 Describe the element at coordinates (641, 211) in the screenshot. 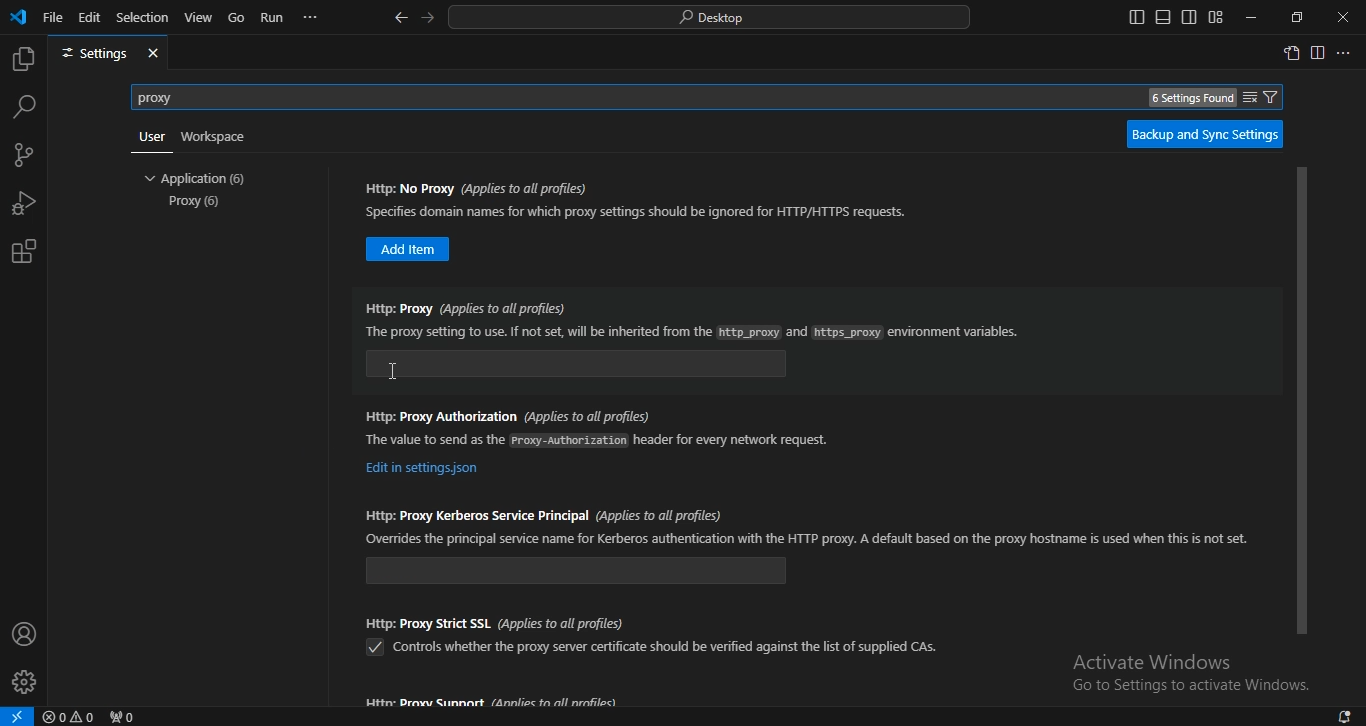

I see `https: no proxy` at that location.